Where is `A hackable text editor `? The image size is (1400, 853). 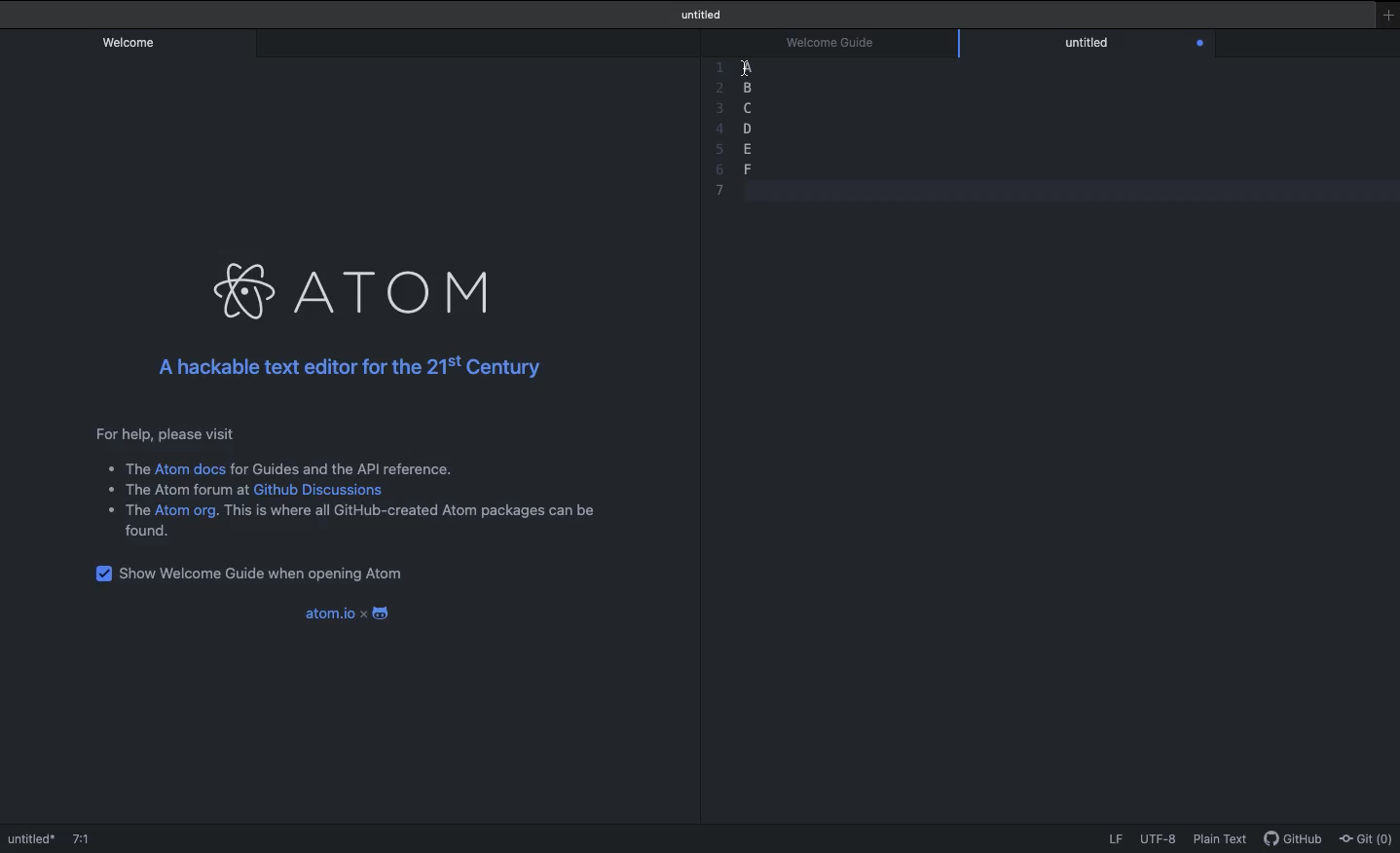
A hackable text editor  is located at coordinates (363, 369).